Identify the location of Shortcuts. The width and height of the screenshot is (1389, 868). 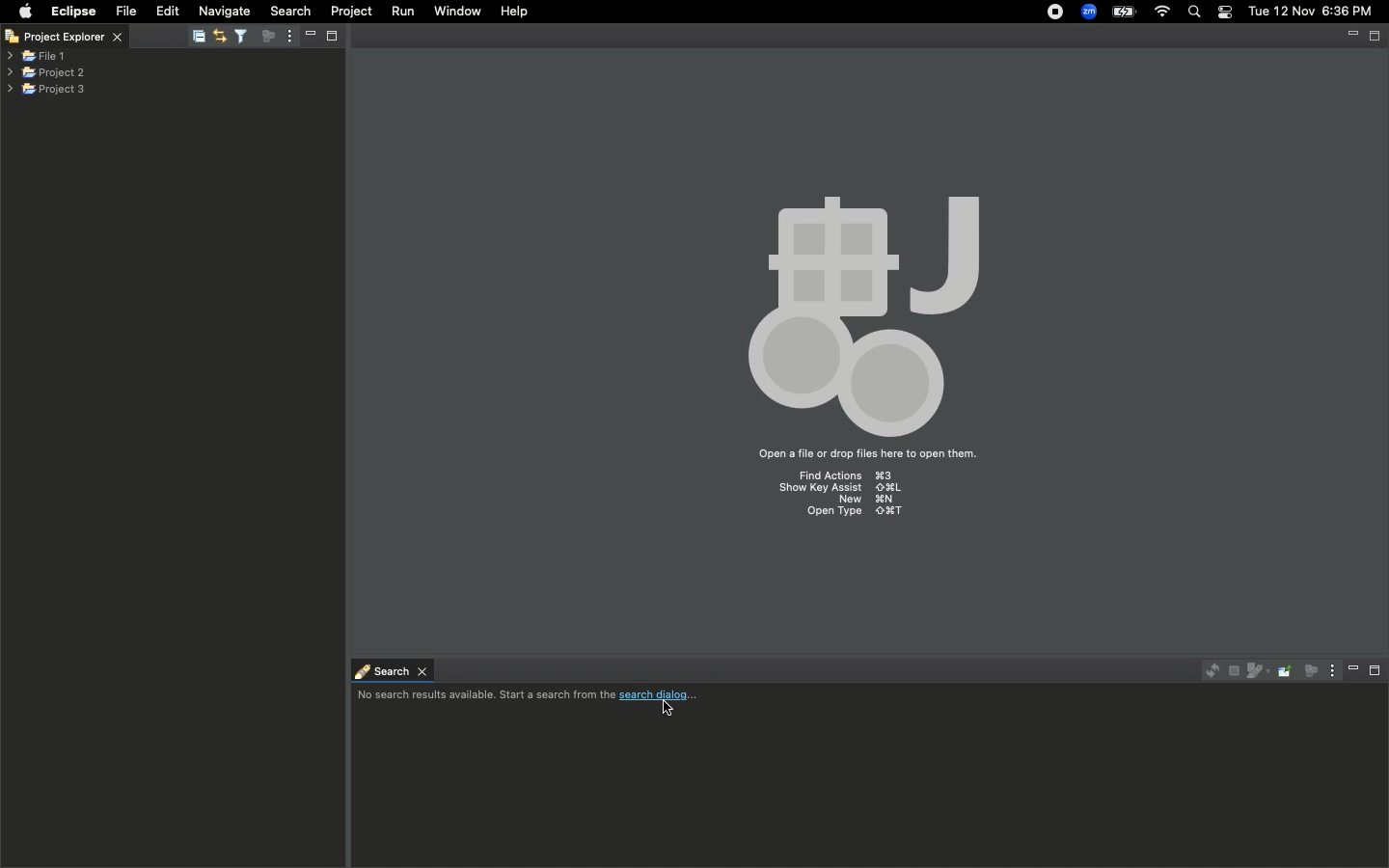
(845, 498).